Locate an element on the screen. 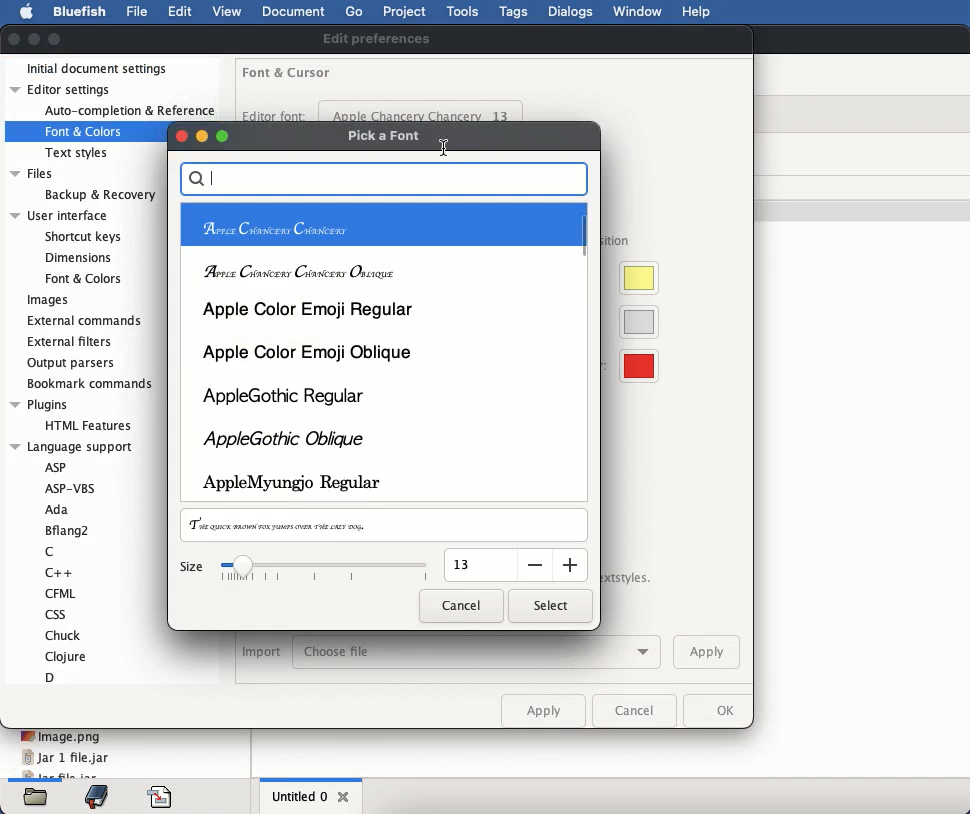 Image resolution: width=970 pixels, height=814 pixels. output parsers is located at coordinates (73, 365).